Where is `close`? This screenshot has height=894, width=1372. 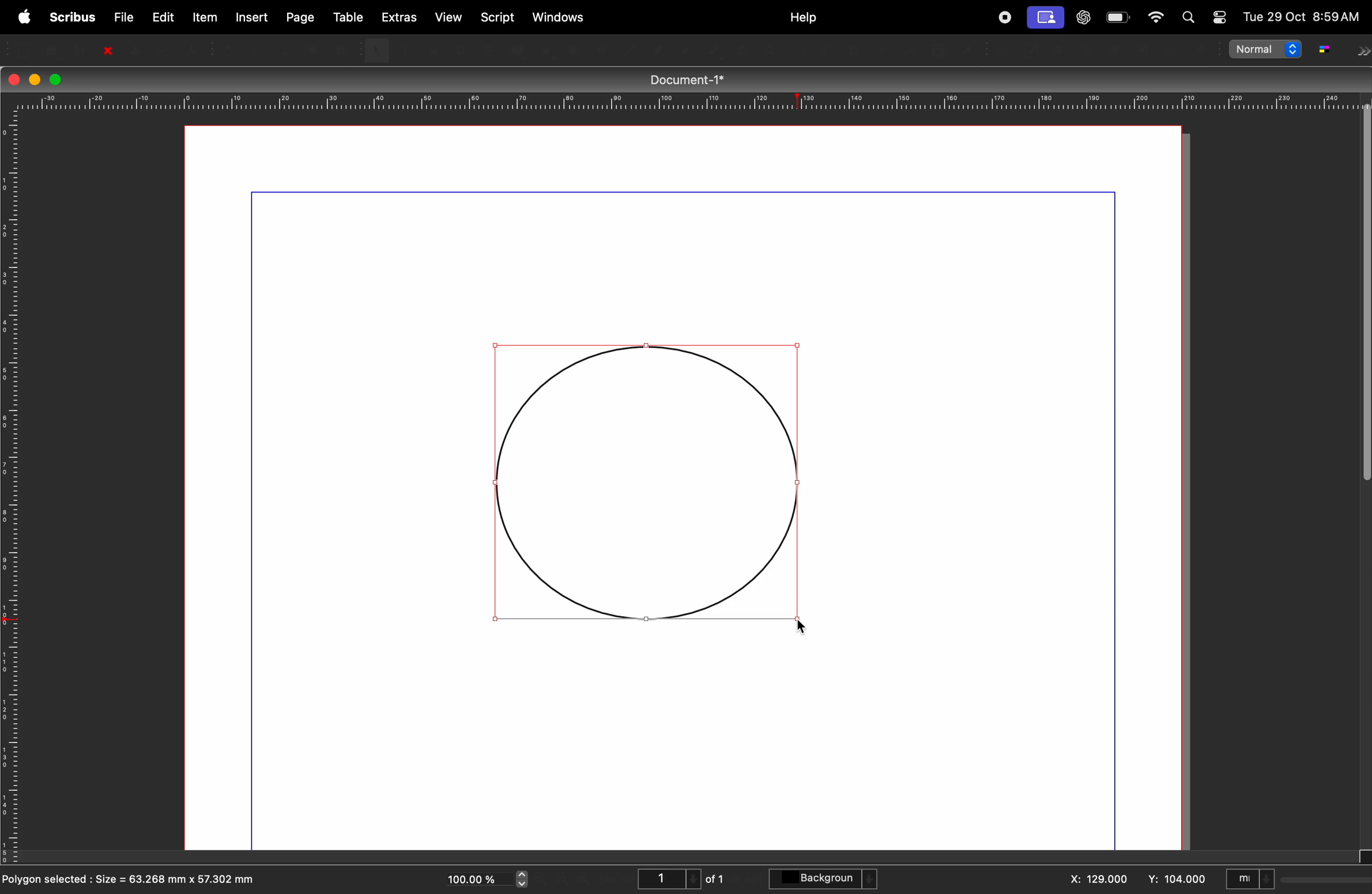
close is located at coordinates (107, 49).